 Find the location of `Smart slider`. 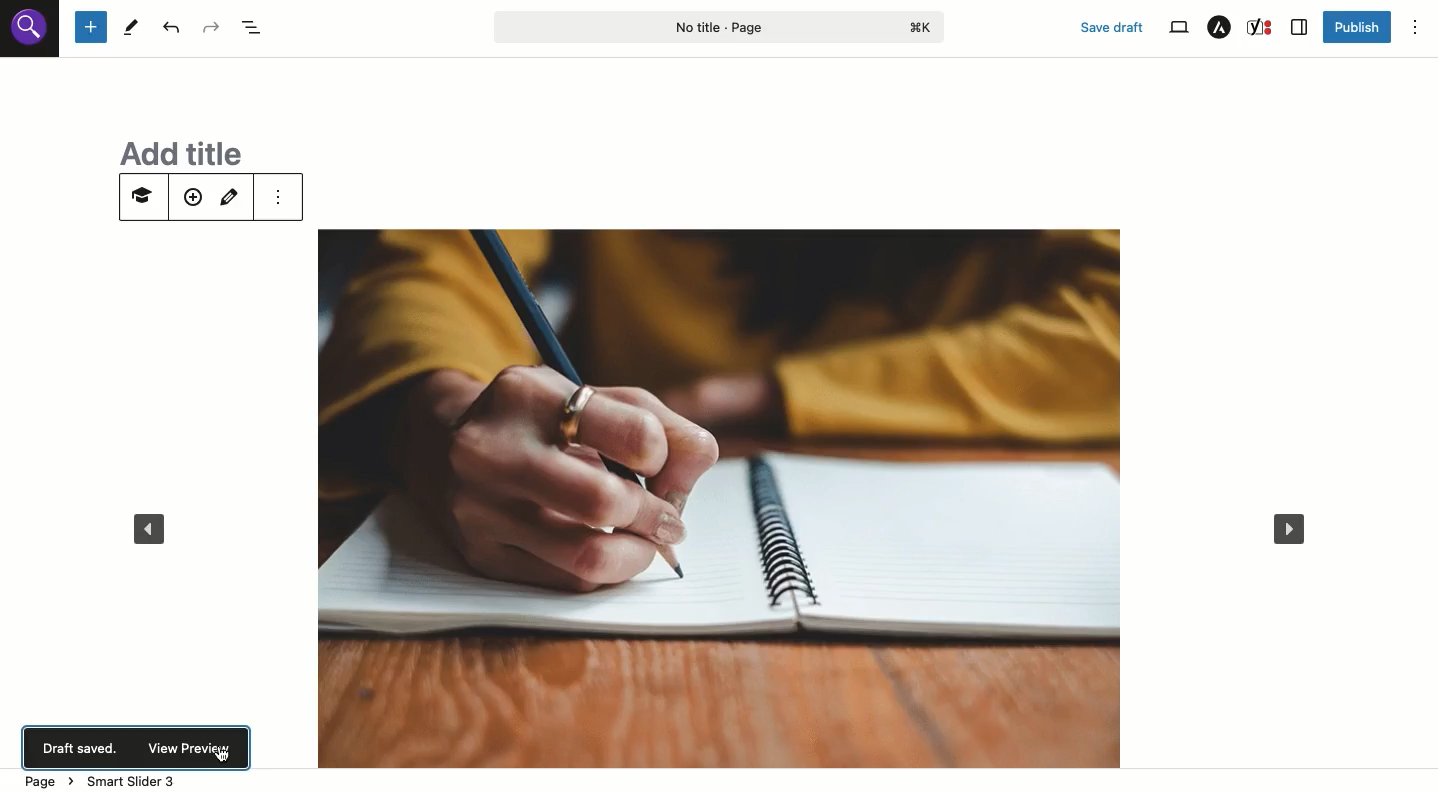

Smart slider is located at coordinates (140, 200).